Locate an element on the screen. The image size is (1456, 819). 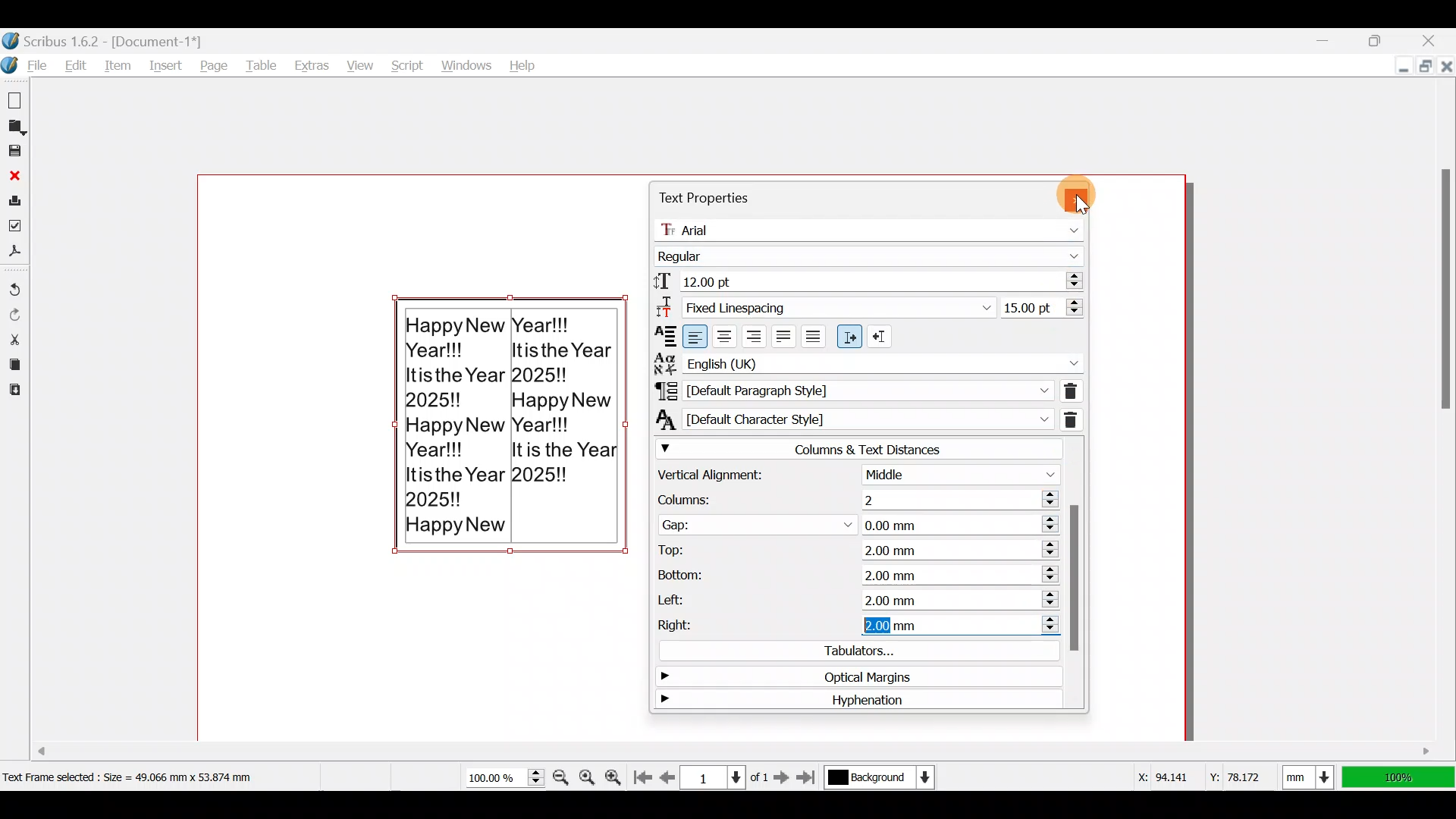
Minimize is located at coordinates (1389, 67).